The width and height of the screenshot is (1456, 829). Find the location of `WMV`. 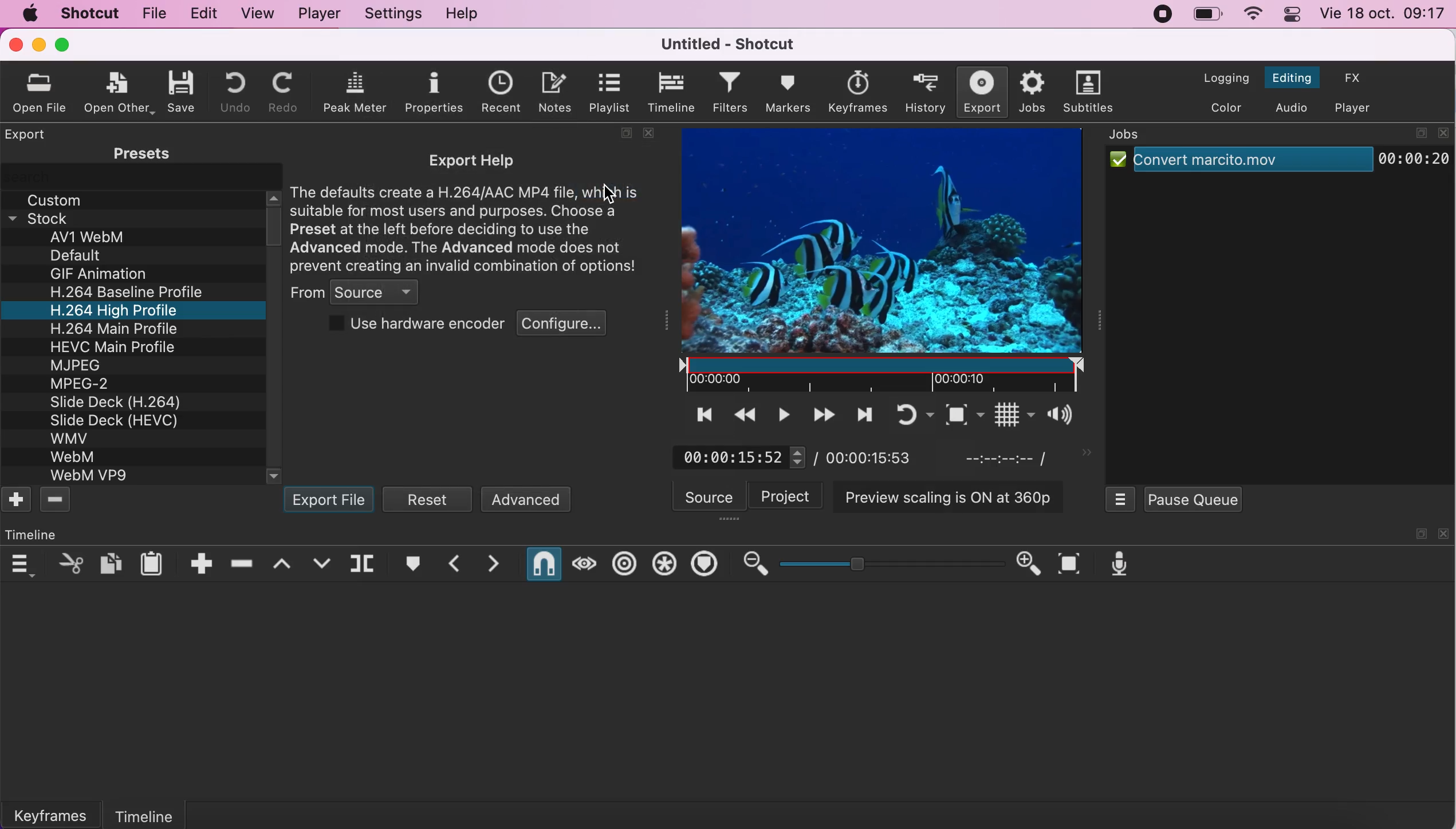

WMV is located at coordinates (68, 439).